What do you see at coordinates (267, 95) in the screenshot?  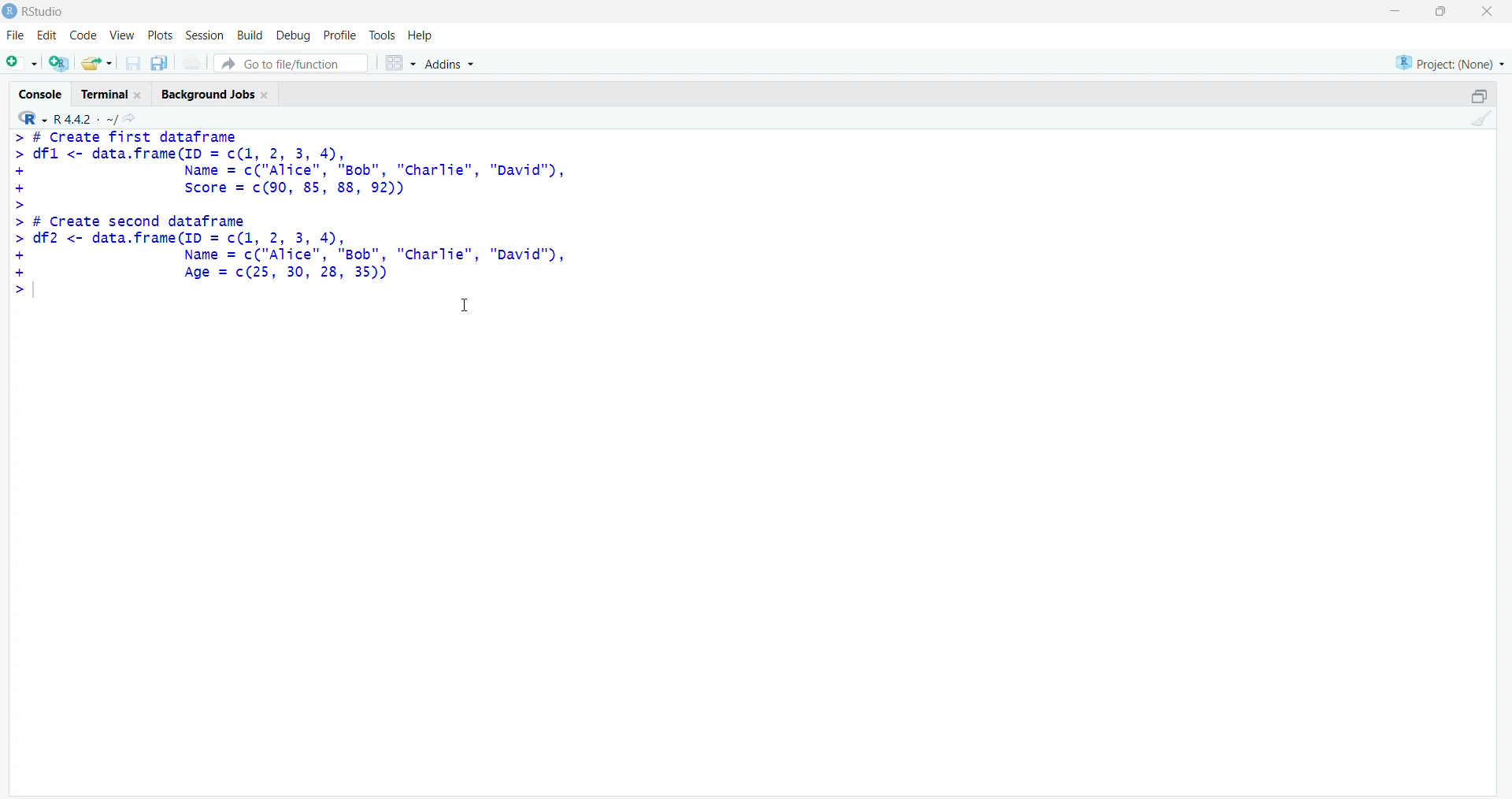 I see `close` at bounding box center [267, 95].